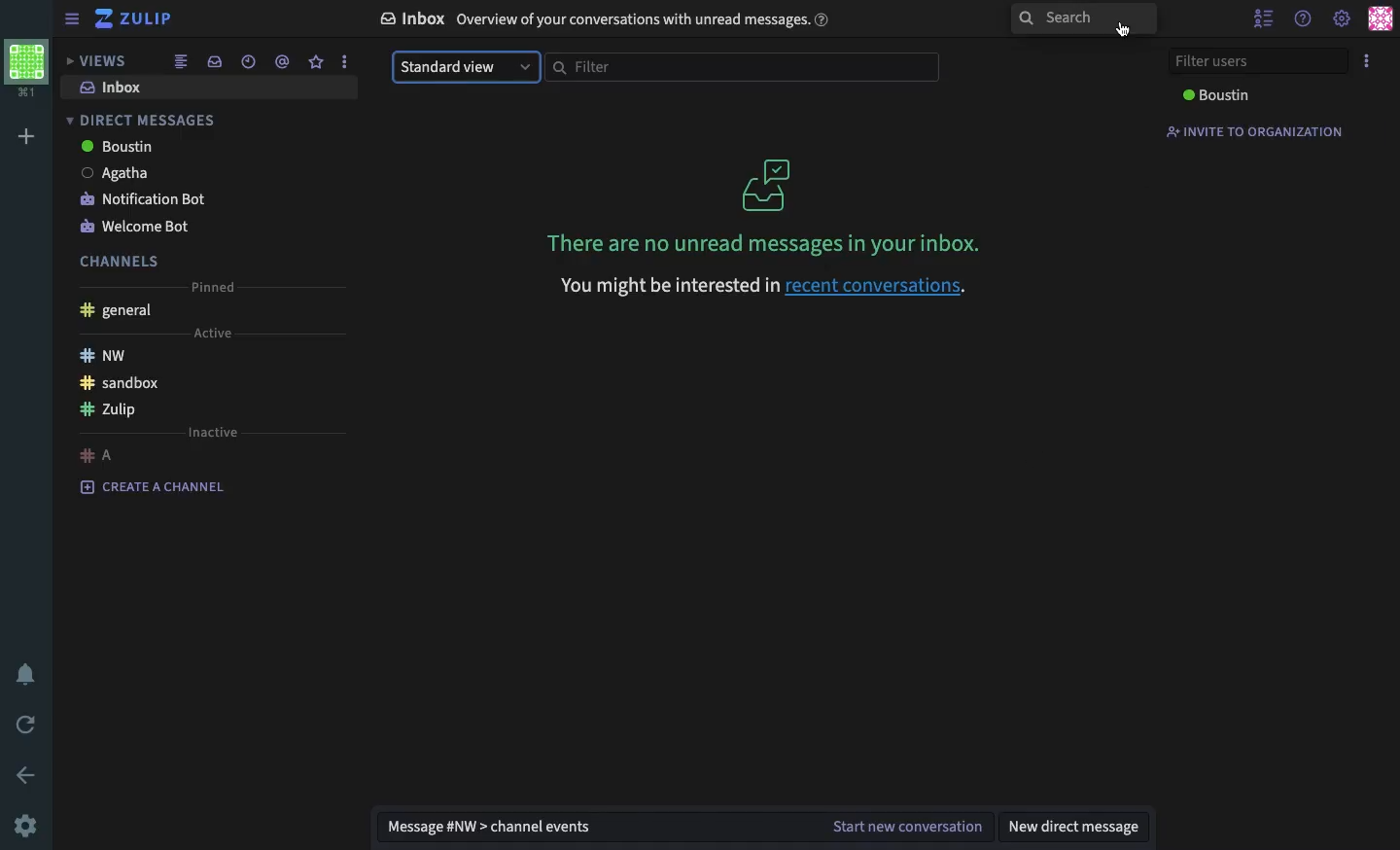 The image size is (1400, 850). I want to click on inbox , so click(113, 89).